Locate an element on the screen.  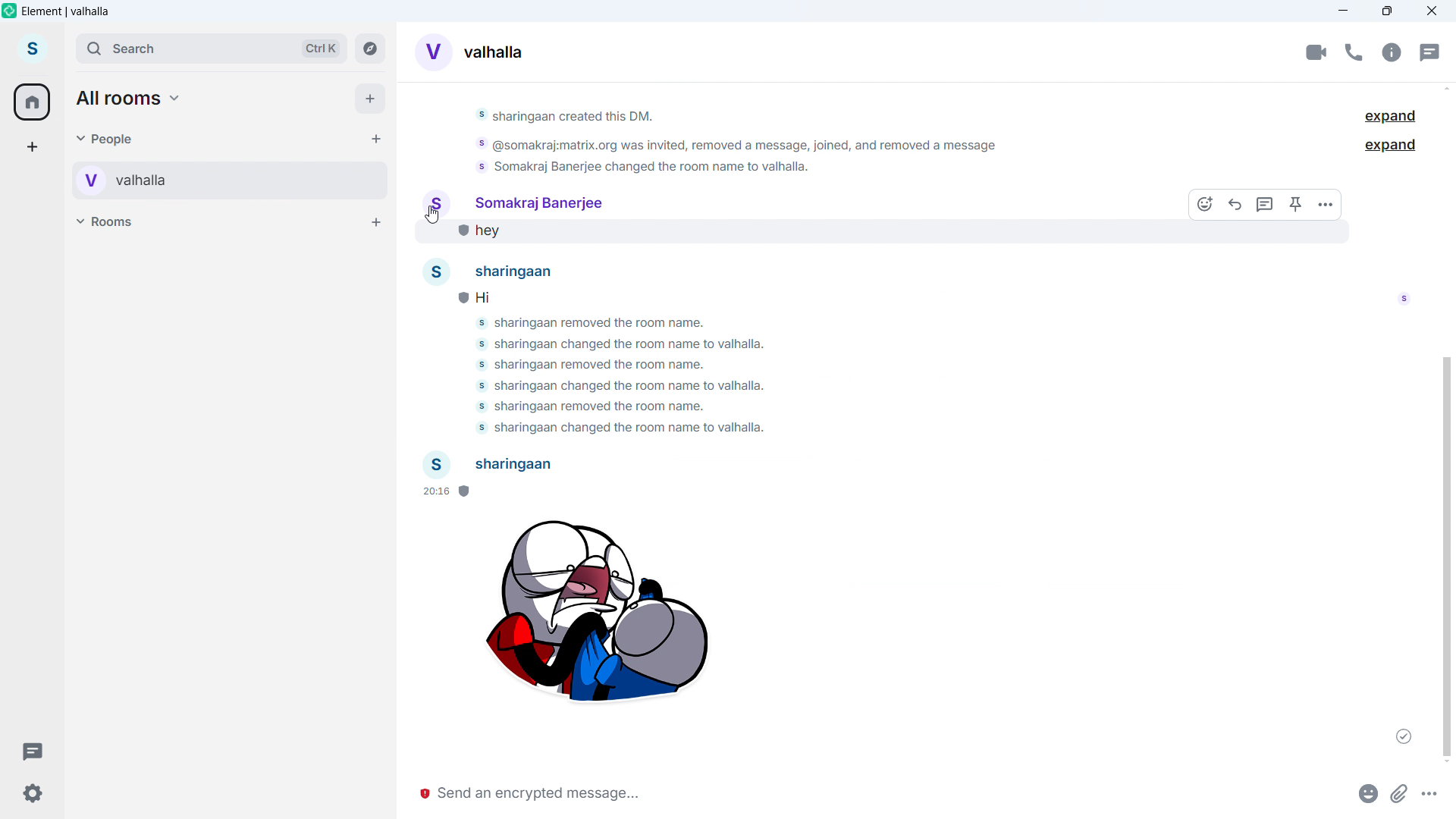
somakraj banerjee removed the room name is located at coordinates (592, 408).